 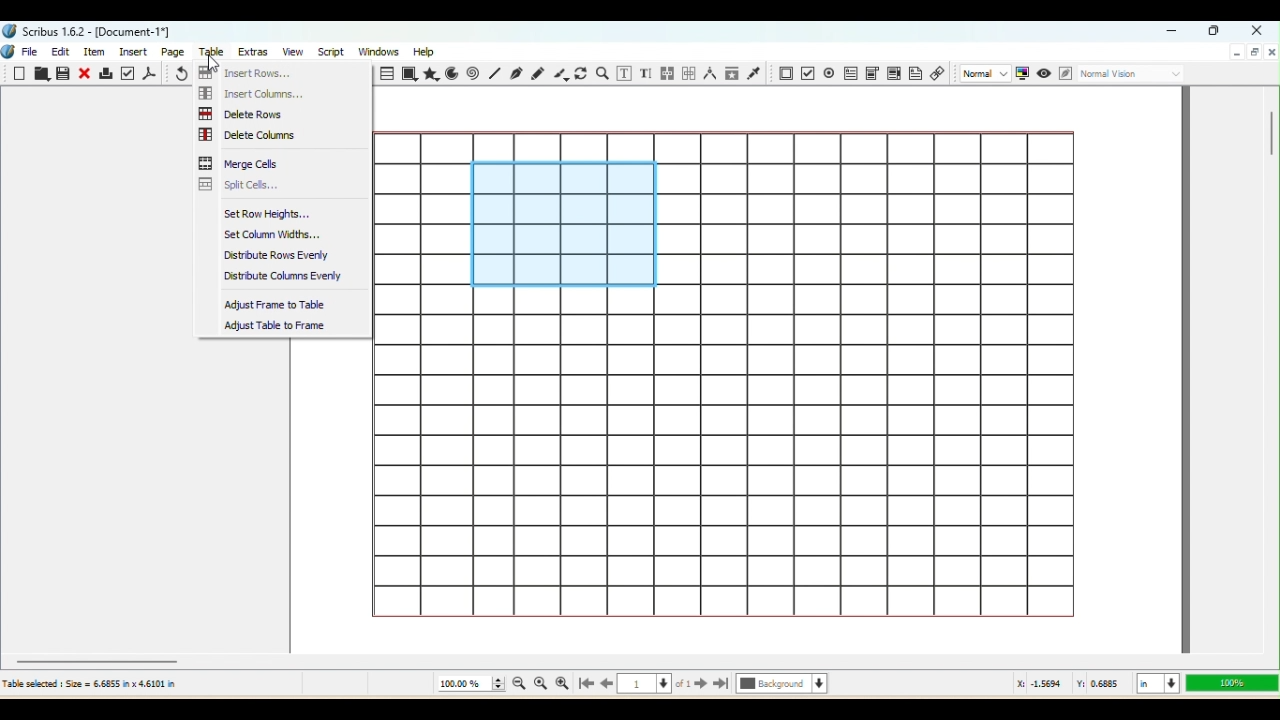 What do you see at coordinates (1175, 32) in the screenshot?
I see `Minimize` at bounding box center [1175, 32].